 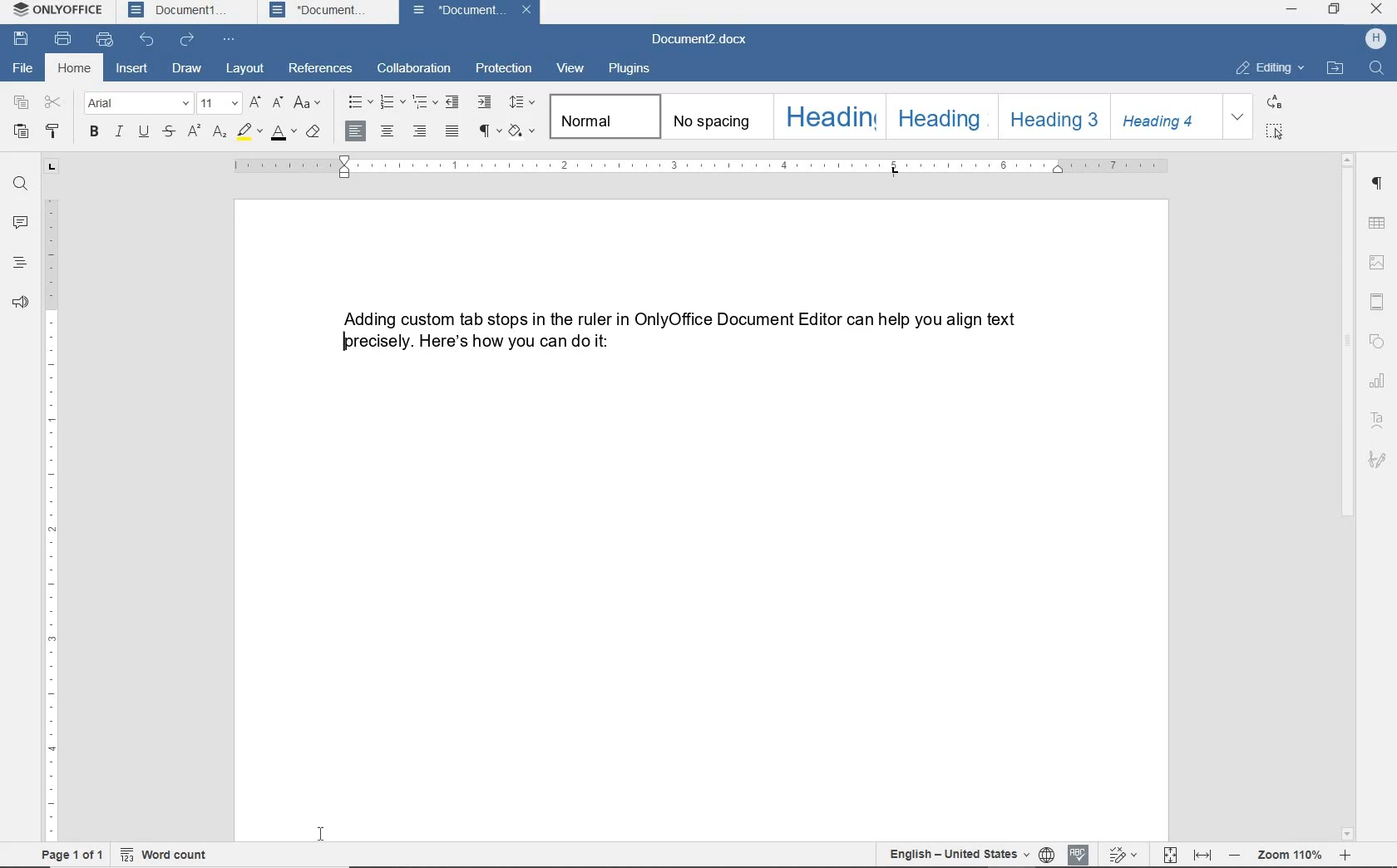 I want to click on find, so click(x=1380, y=67).